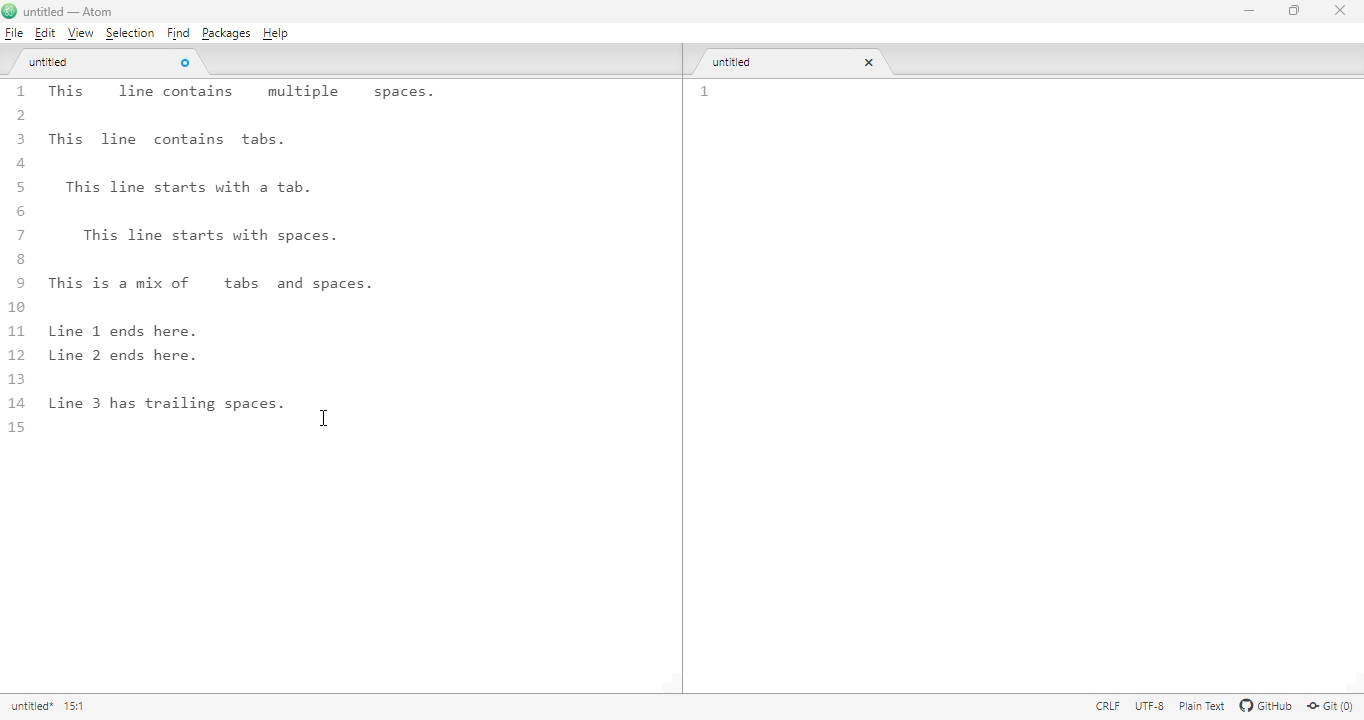  Describe the element at coordinates (737, 62) in the screenshot. I see `untitled` at that location.